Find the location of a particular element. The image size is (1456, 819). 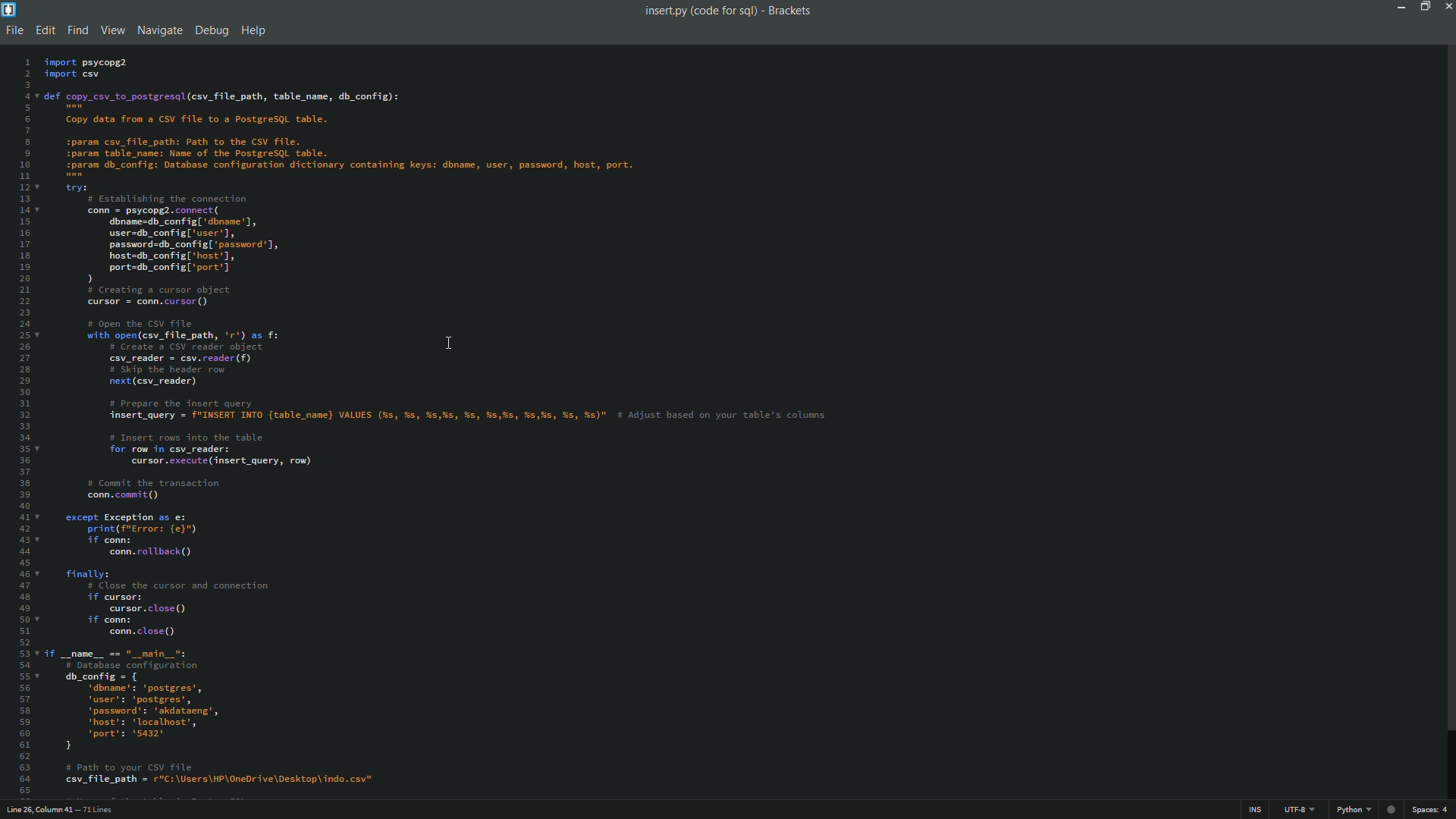

help menu is located at coordinates (254, 31).